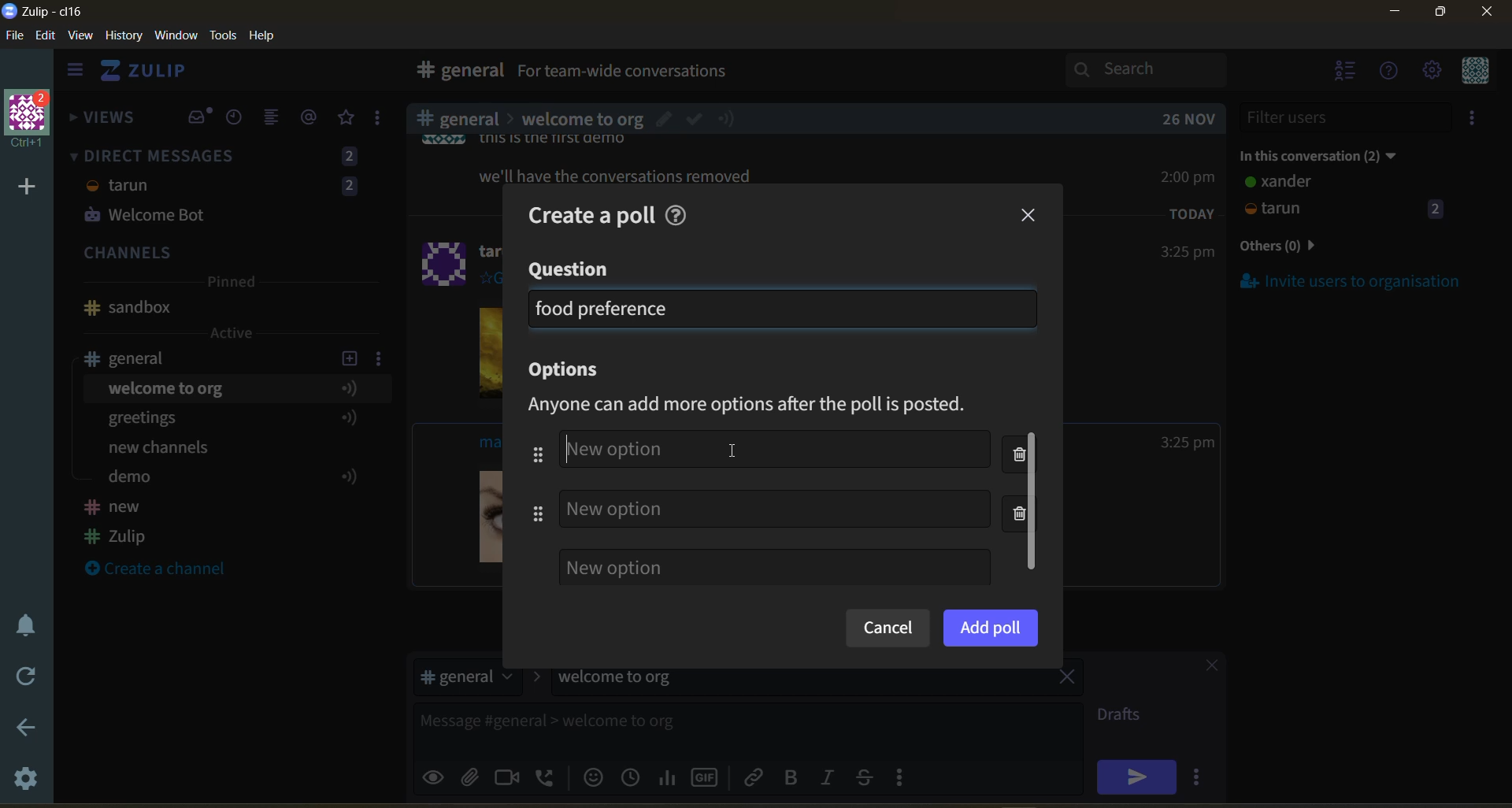 This screenshot has height=808, width=1512. I want to click on channels, so click(228, 254).